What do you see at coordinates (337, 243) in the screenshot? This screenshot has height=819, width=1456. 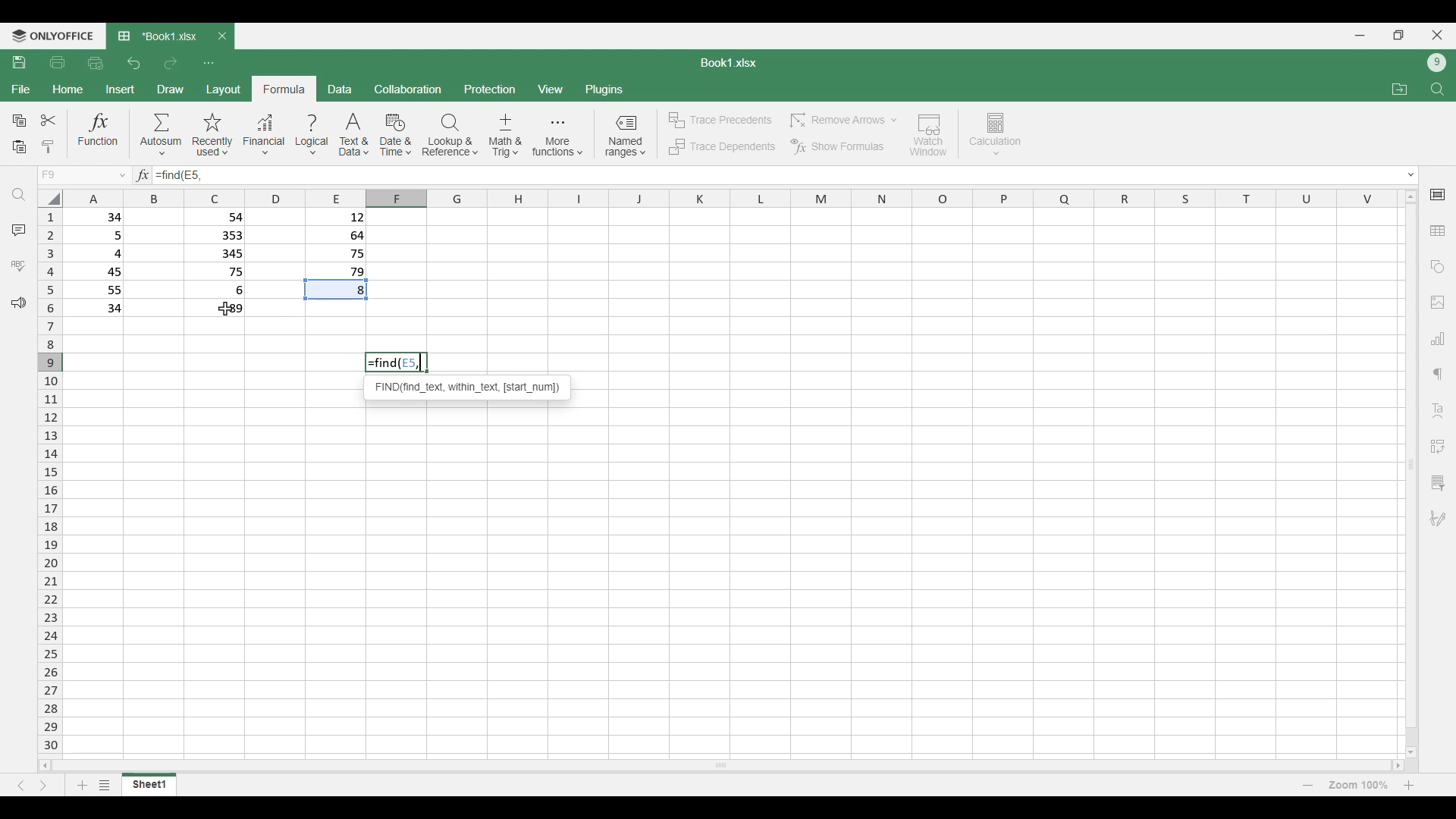 I see `Filled cells` at bounding box center [337, 243].